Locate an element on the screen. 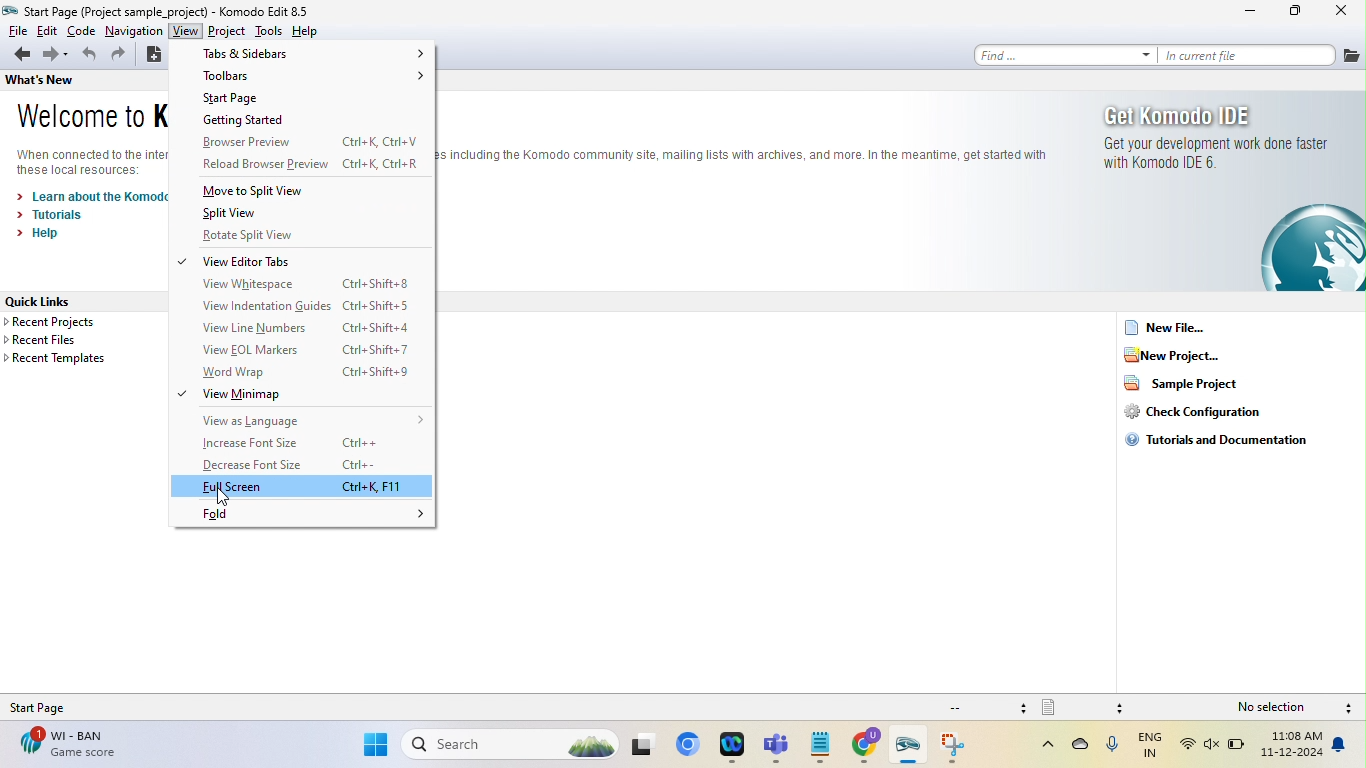 Image resolution: width=1366 pixels, height=768 pixels. sample project is located at coordinates (1191, 383).